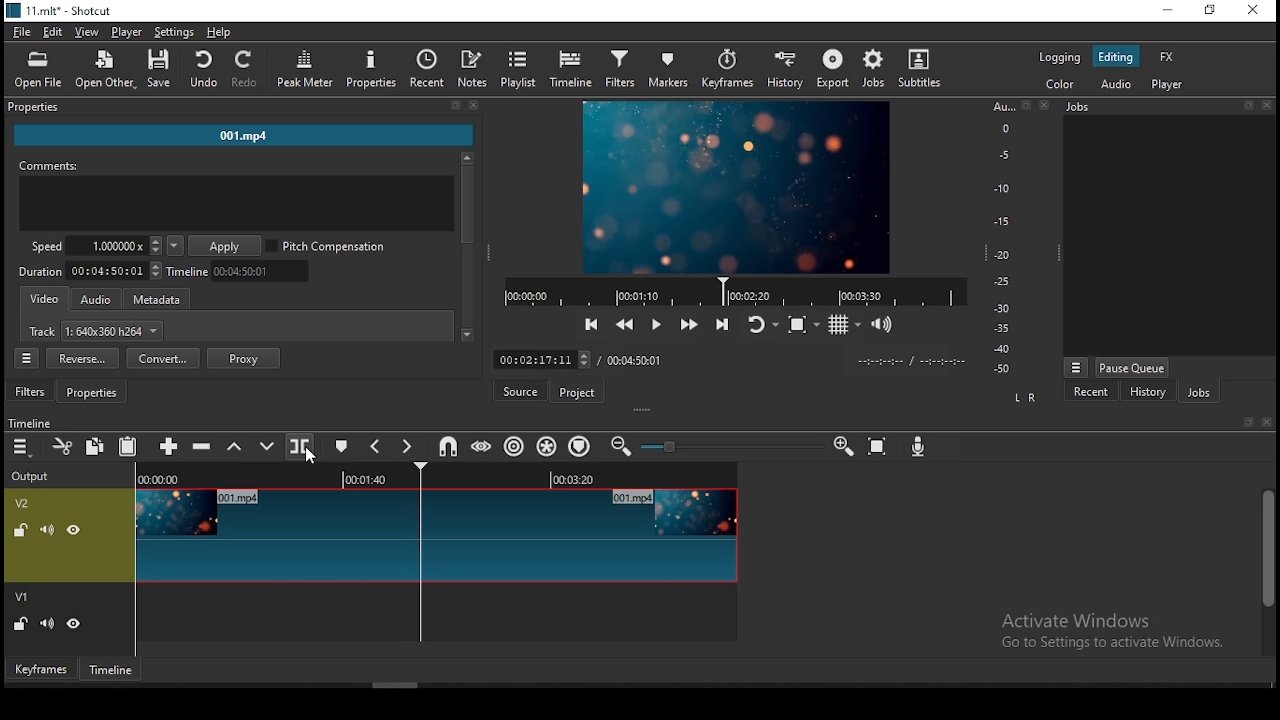 This screenshot has height=720, width=1280. Describe the element at coordinates (267, 446) in the screenshot. I see `overwrite` at that location.